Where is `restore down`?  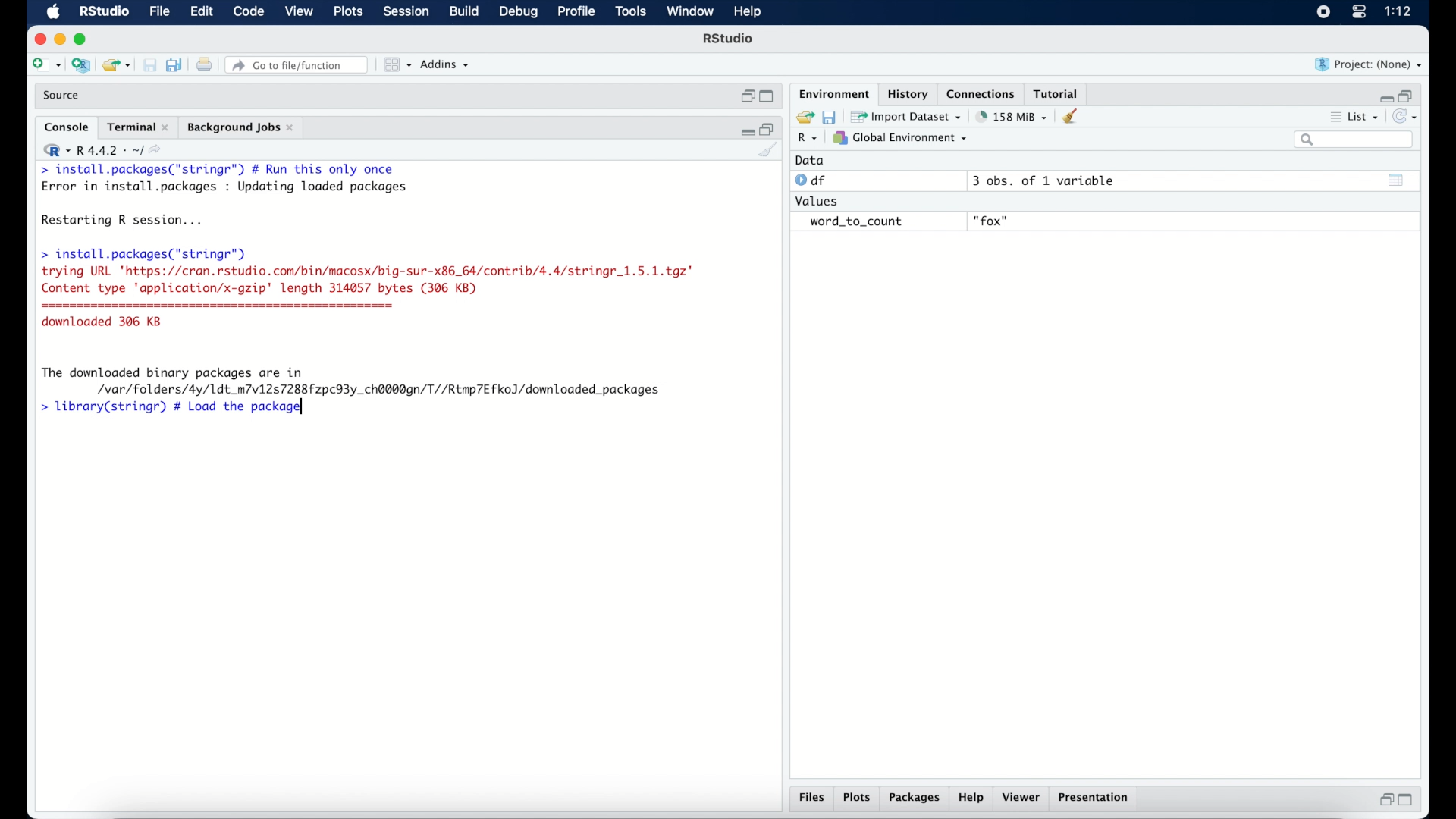
restore down is located at coordinates (1407, 95).